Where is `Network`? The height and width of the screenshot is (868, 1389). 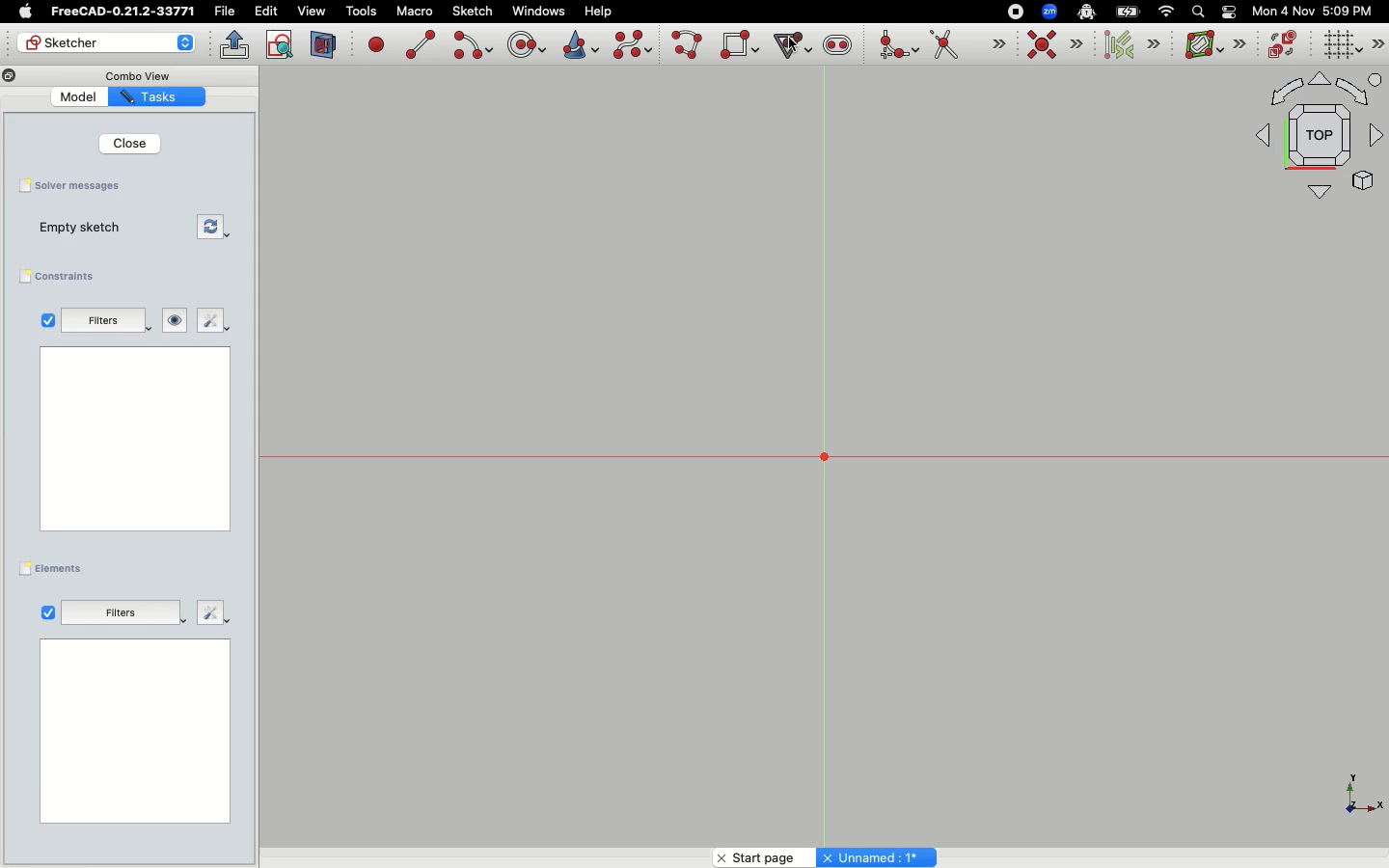 Network is located at coordinates (1167, 12).